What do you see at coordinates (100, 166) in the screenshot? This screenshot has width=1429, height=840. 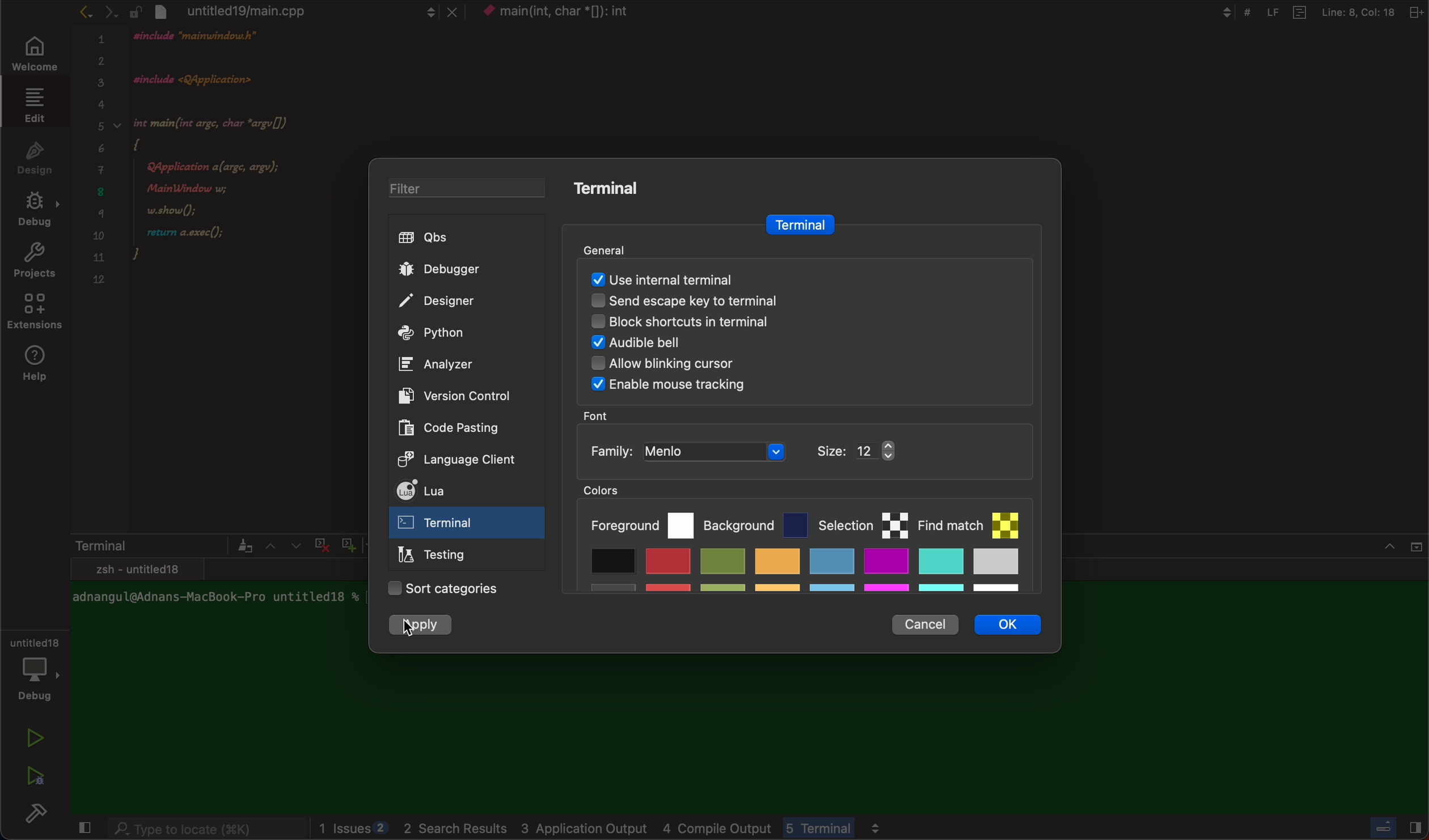 I see `numbers` at bounding box center [100, 166].